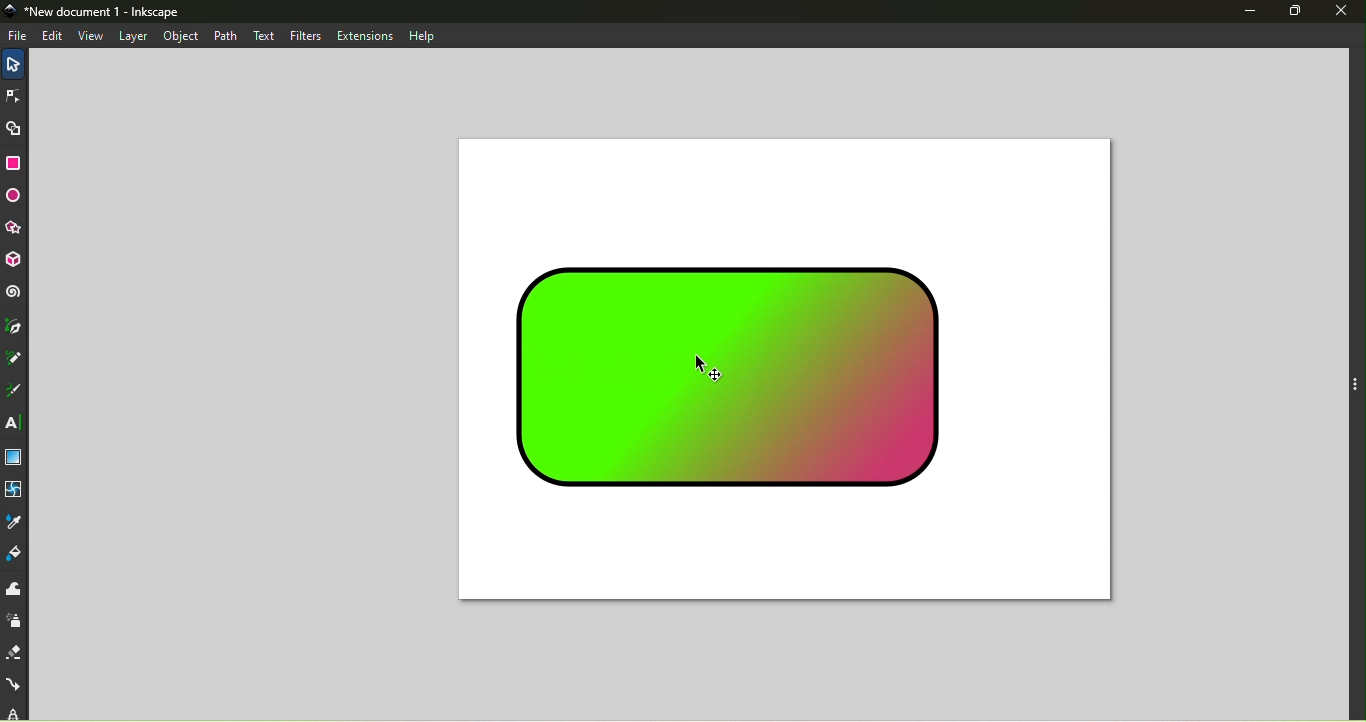 Image resolution: width=1366 pixels, height=722 pixels. Describe the element at coordinates (16, 360) in the screenshot. I see `Pencil` at that location.